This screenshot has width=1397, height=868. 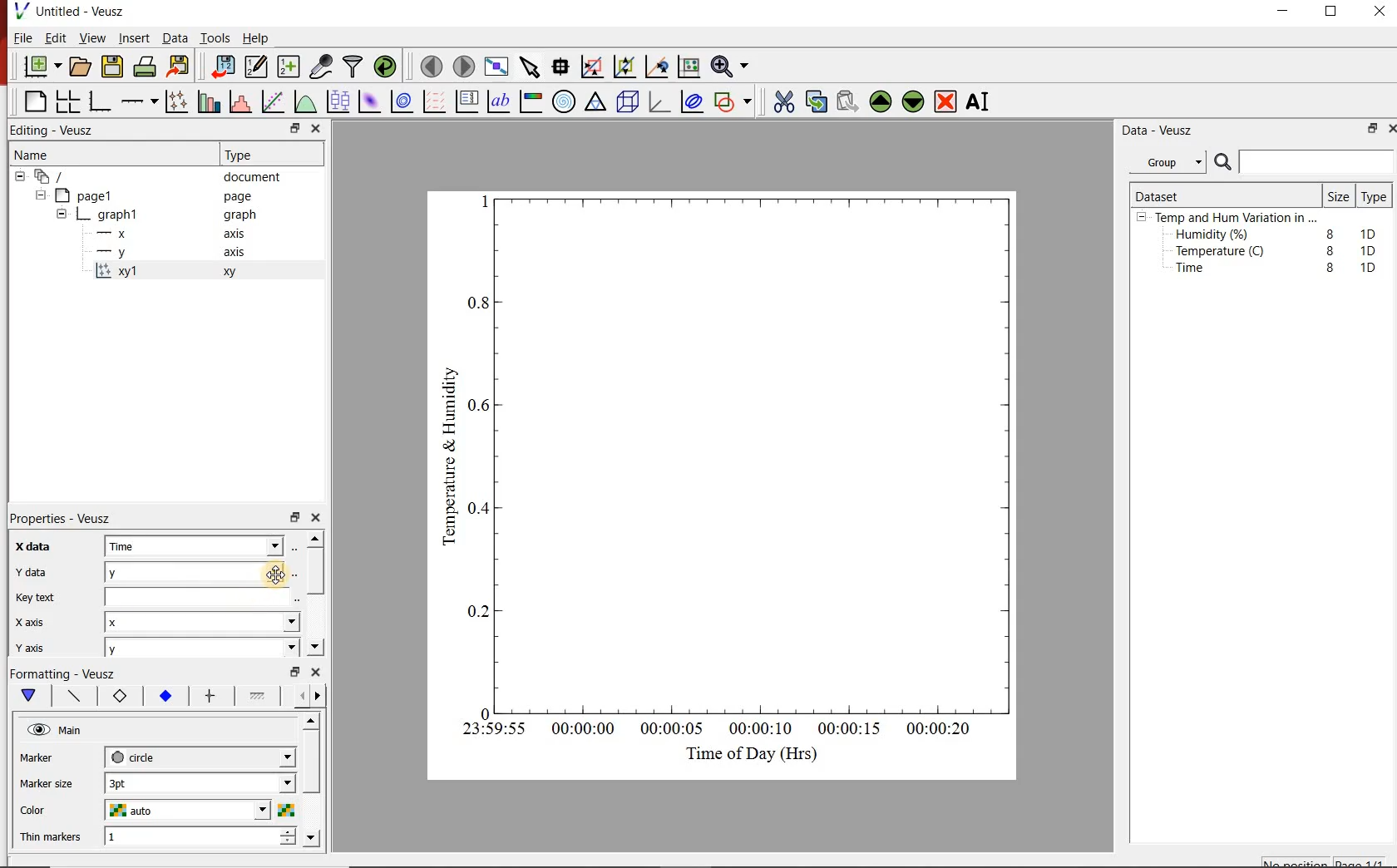 What do you see at coordinates (42, 542) in the screenshot?
I see `x data` at bounding box center [42, 542].